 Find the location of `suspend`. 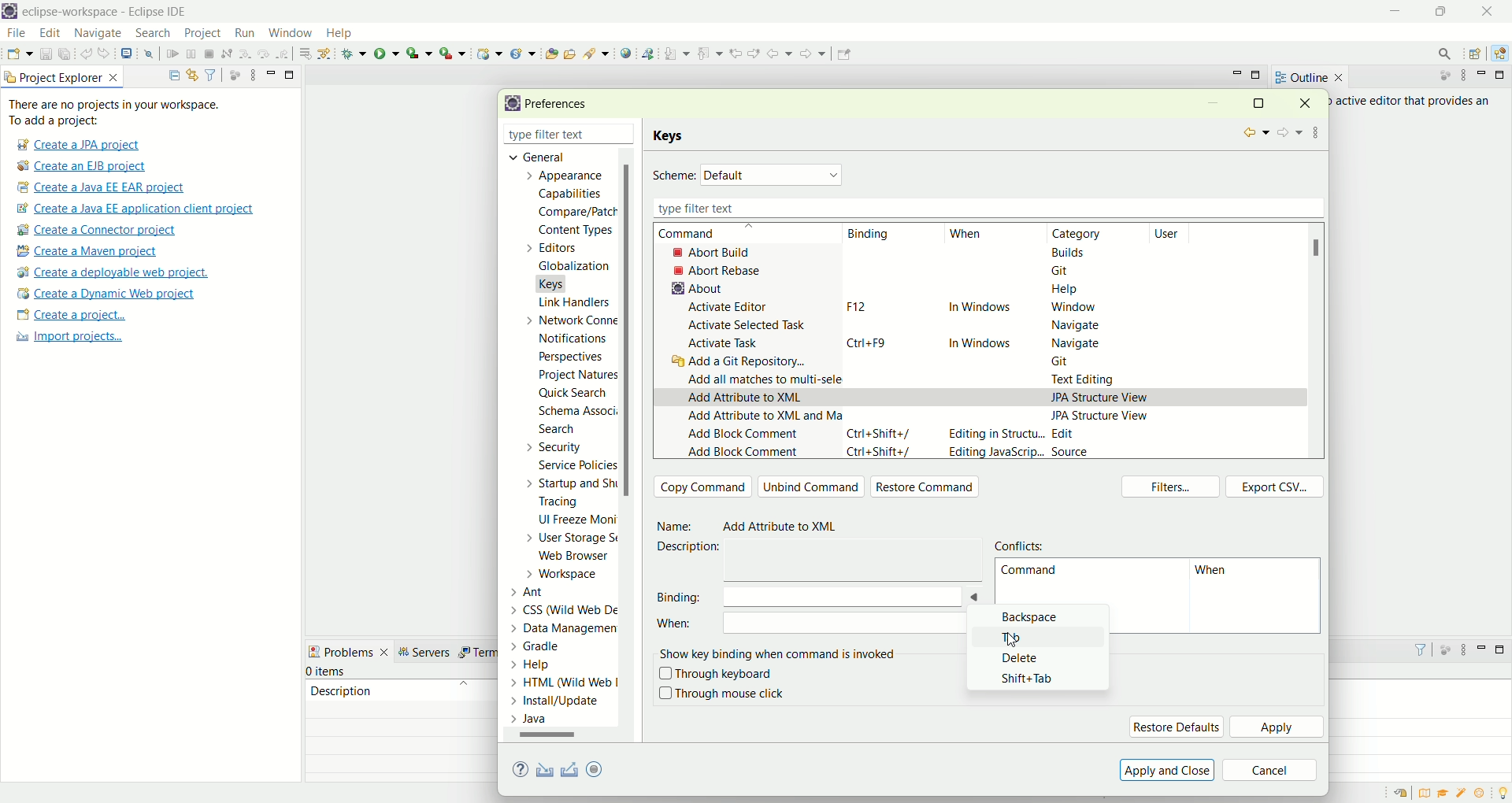

suspend is located at coordinates (191, 55).